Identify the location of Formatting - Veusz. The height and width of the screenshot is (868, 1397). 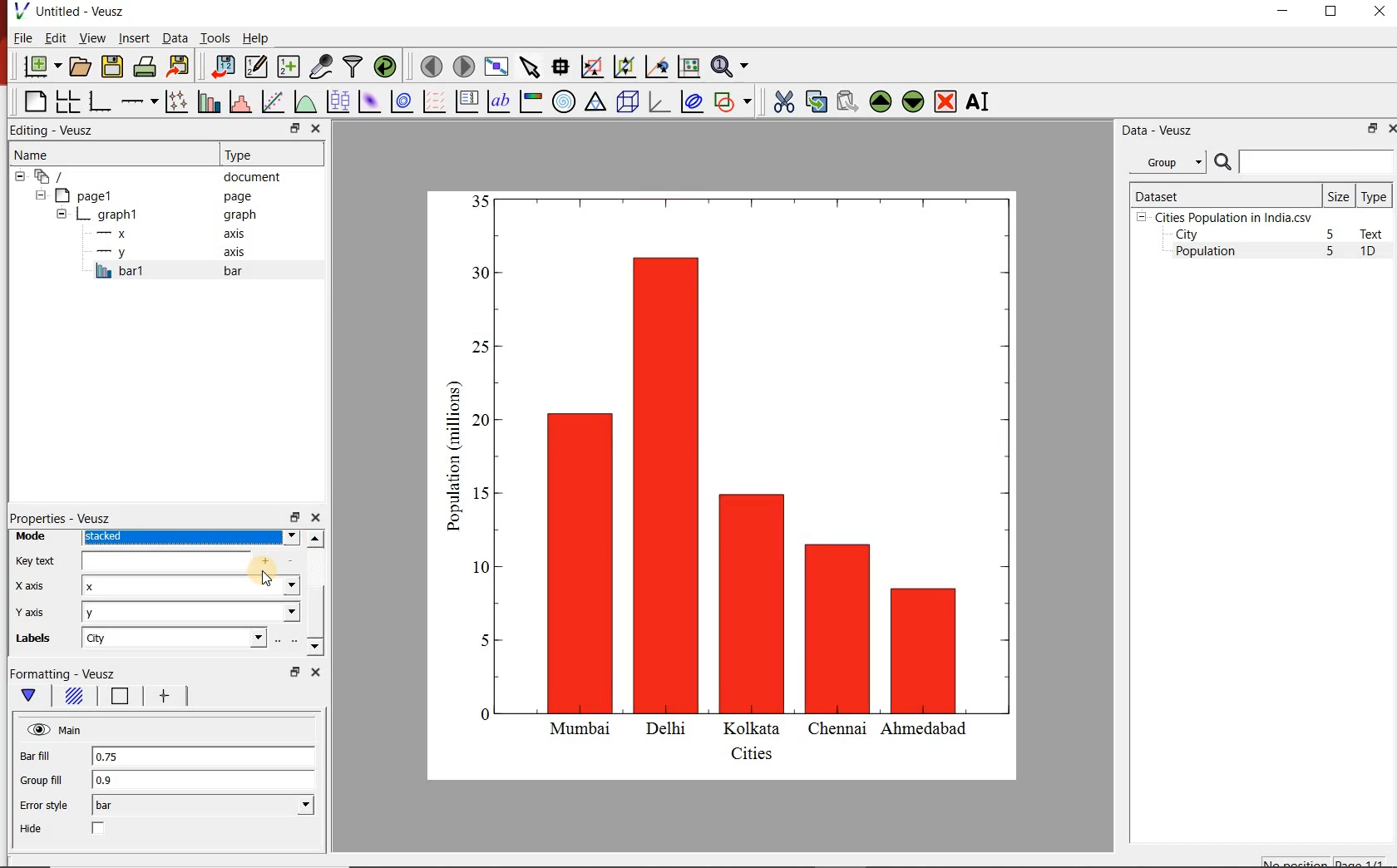
(73, 674).